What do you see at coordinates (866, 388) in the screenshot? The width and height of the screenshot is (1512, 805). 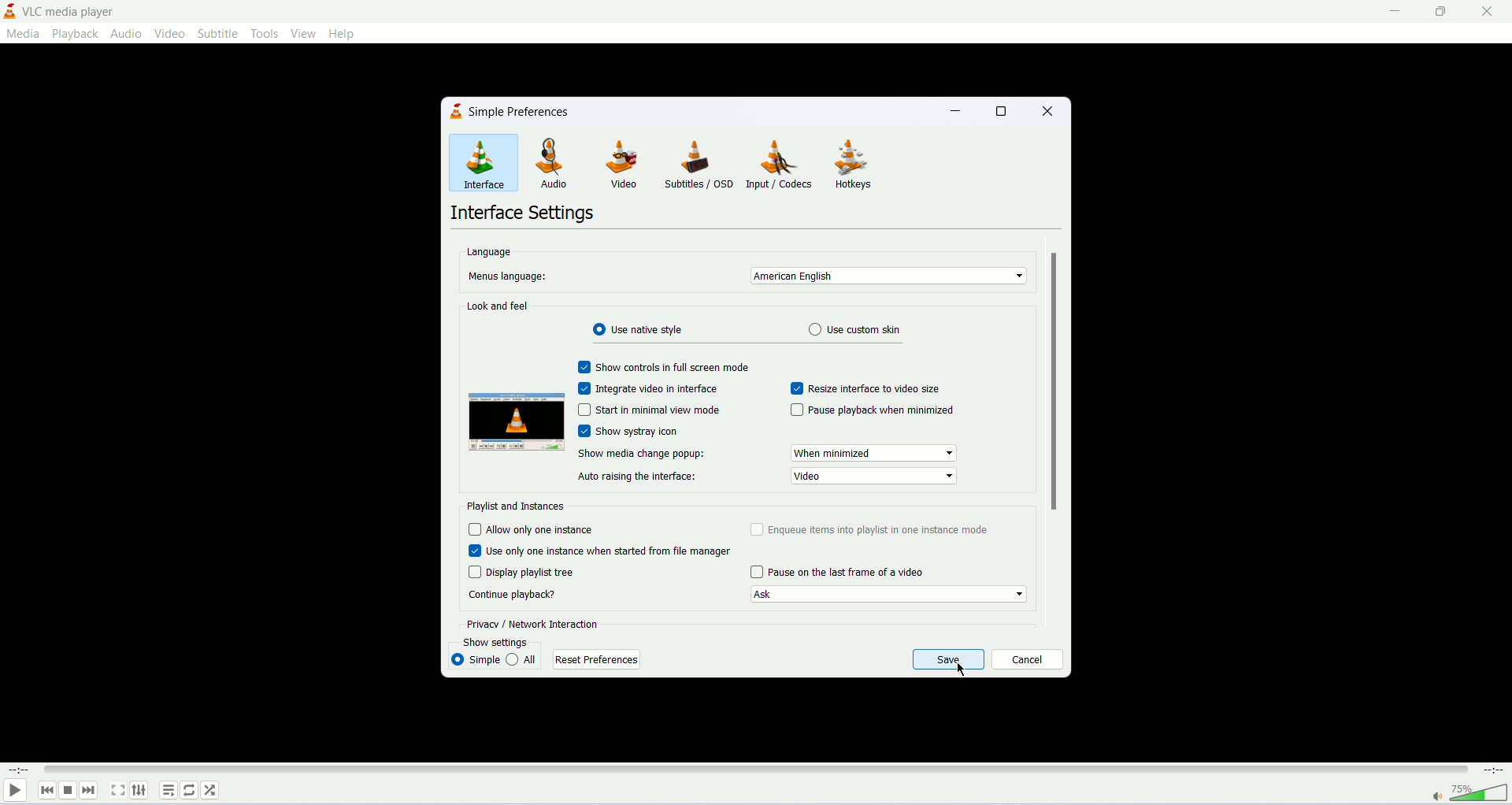 I see `resize interface` at bounding box center [866, 388].